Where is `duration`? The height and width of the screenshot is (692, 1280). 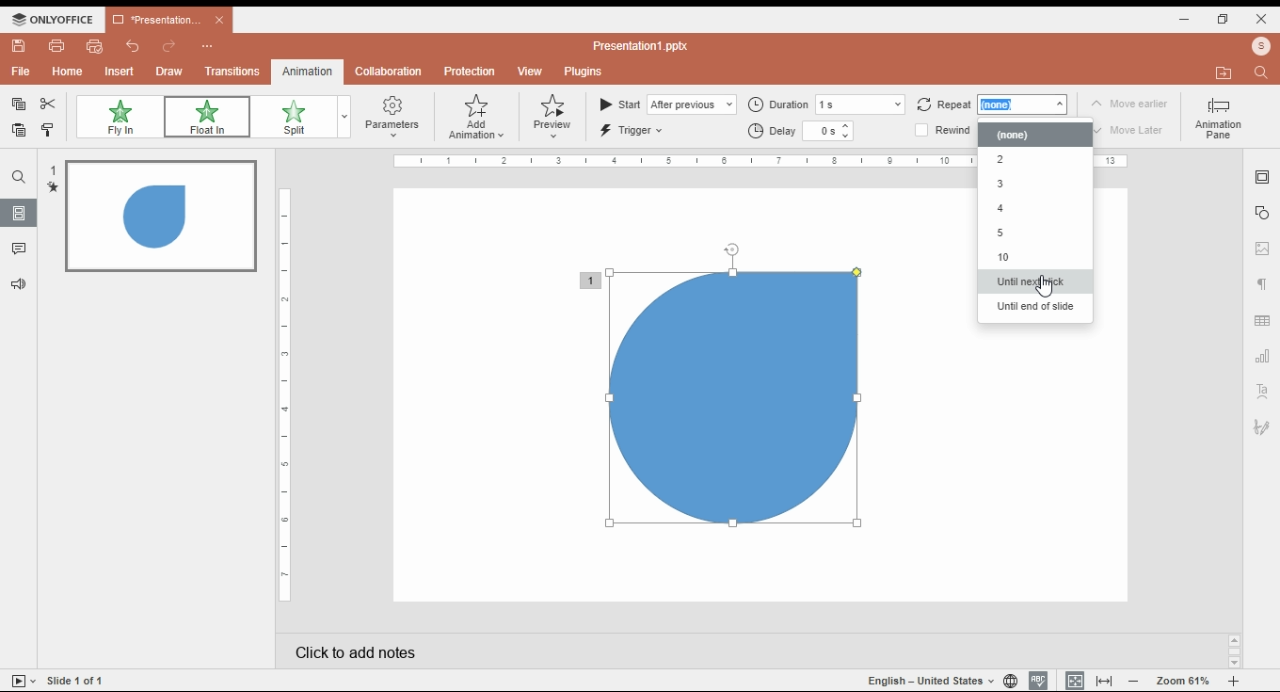
duration is located at coordinates (826, 103).